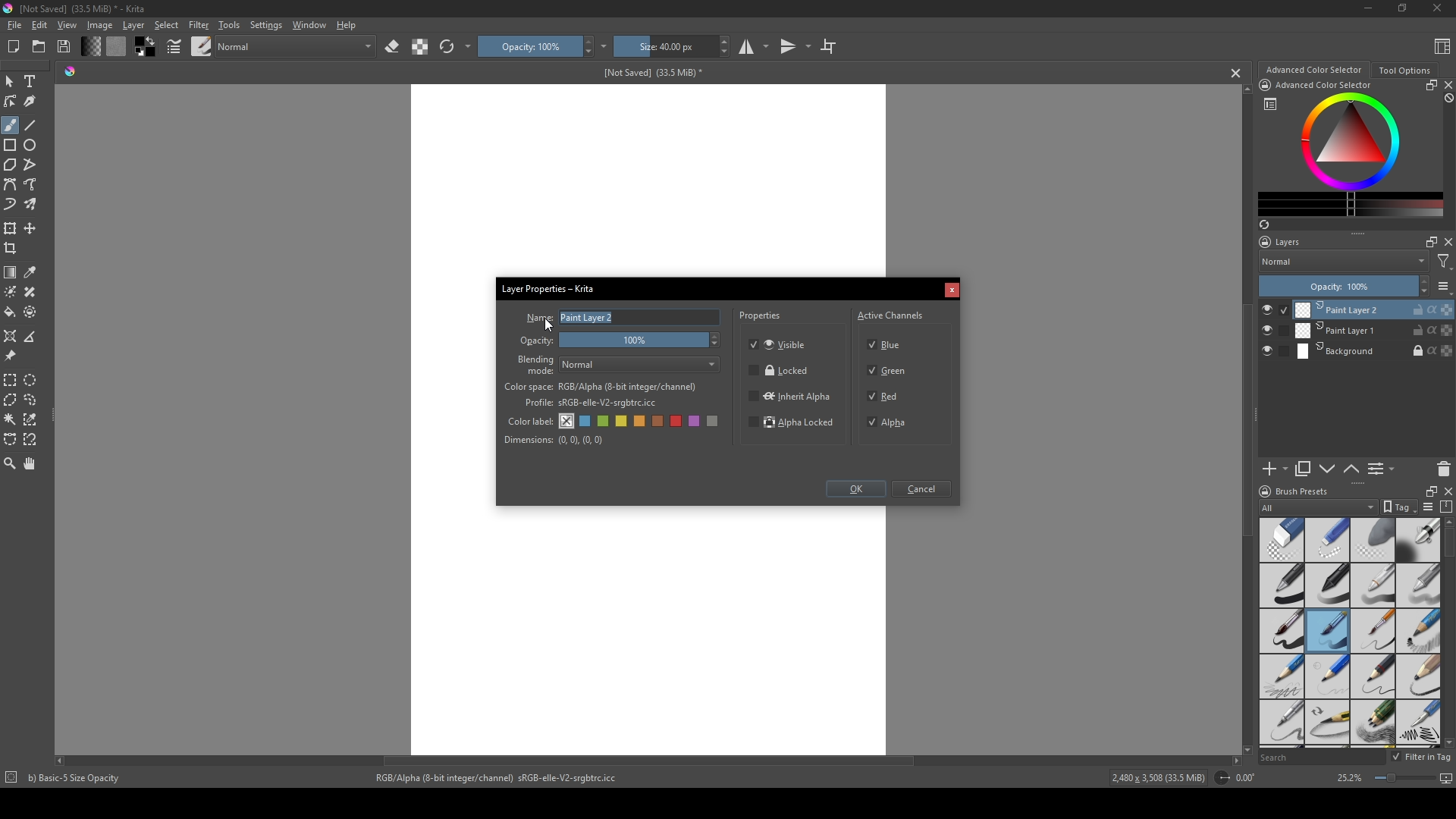 The width and height of the screenshot is (1456, 819). I want to click on 2,480 x 3,508 (33.5 MiB), so click(1156, 780).